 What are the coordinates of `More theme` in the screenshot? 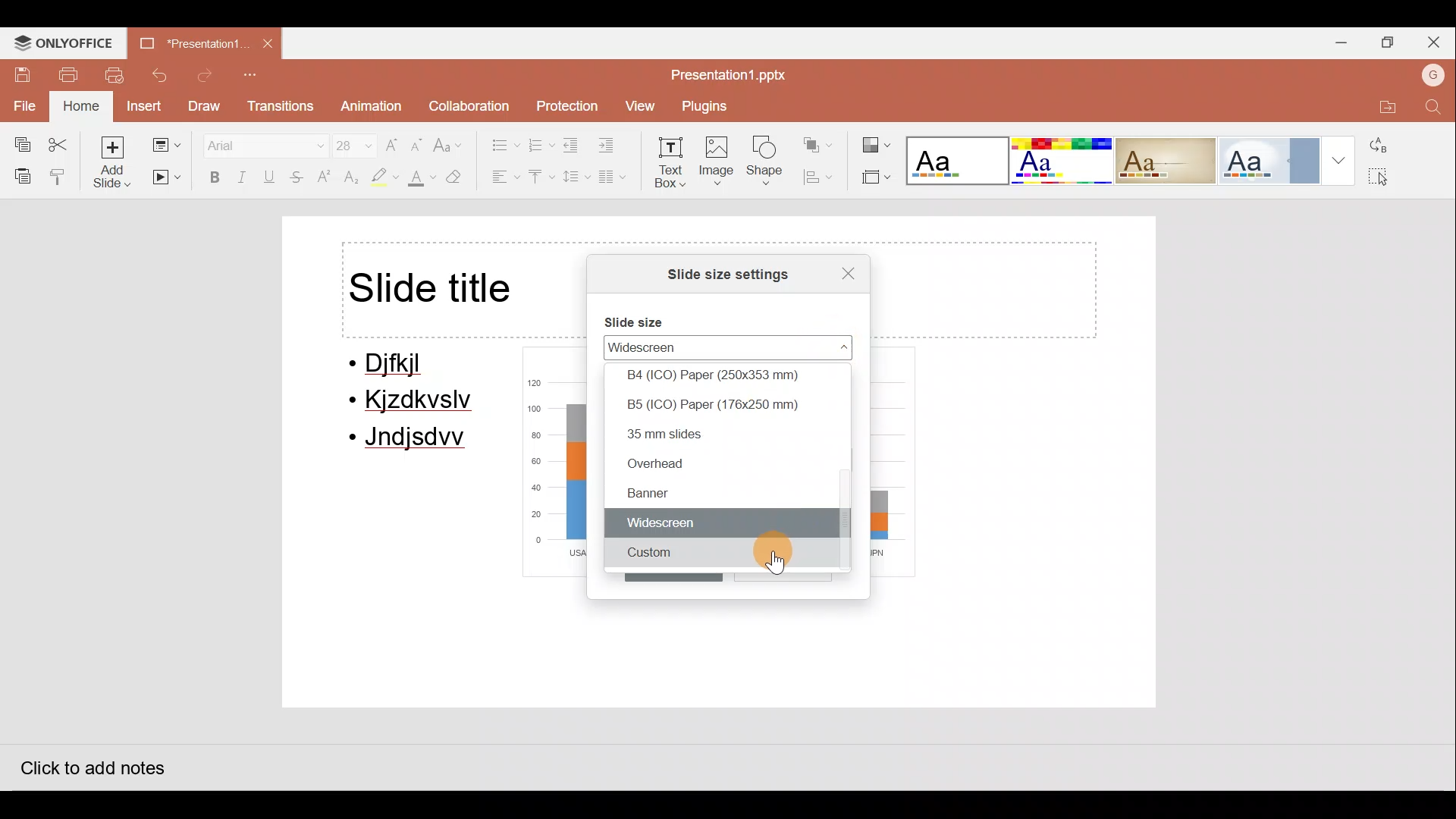 It's located at (1342, 158).